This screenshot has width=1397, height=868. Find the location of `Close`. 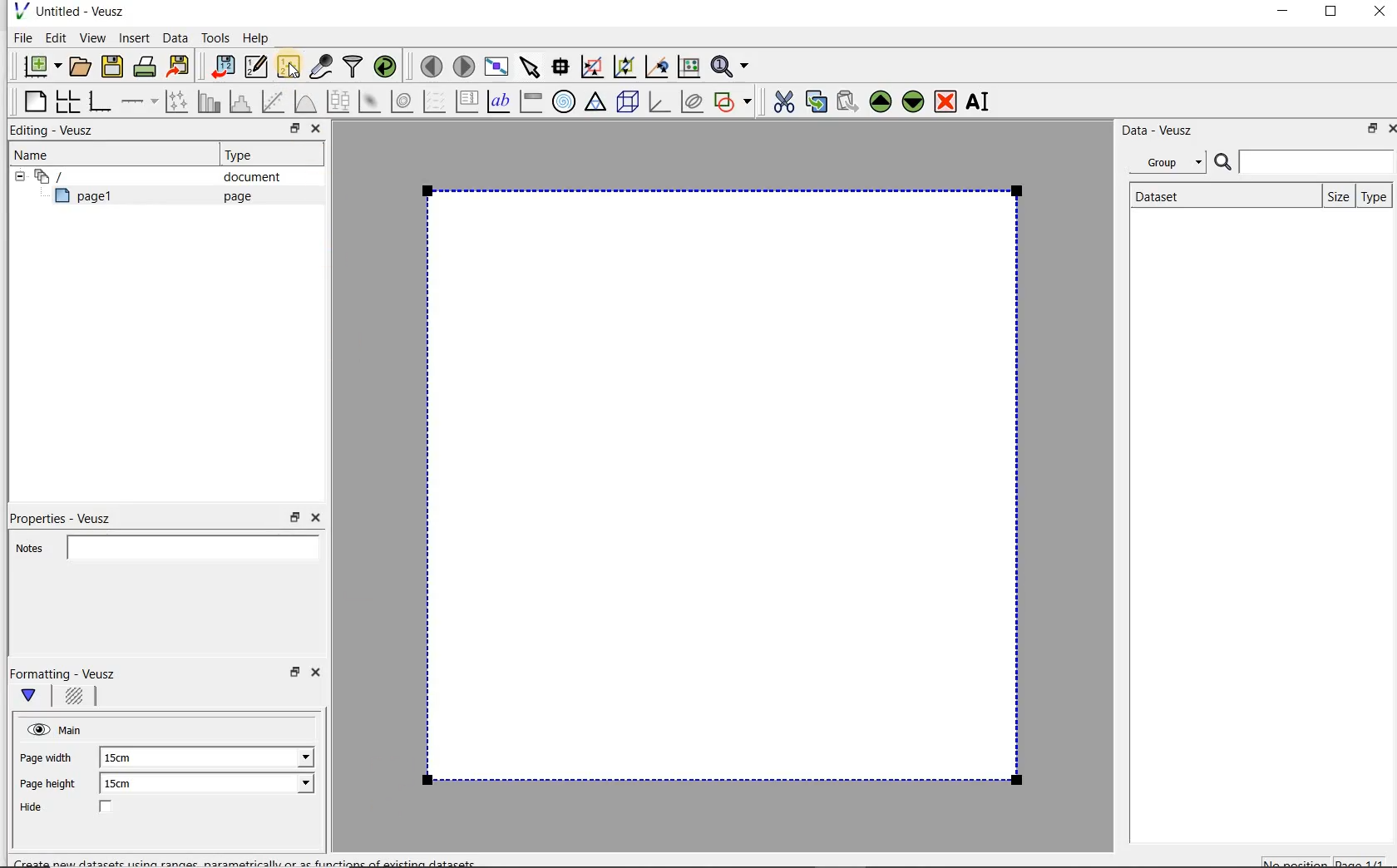

Close is located at coordinates (314, 518).